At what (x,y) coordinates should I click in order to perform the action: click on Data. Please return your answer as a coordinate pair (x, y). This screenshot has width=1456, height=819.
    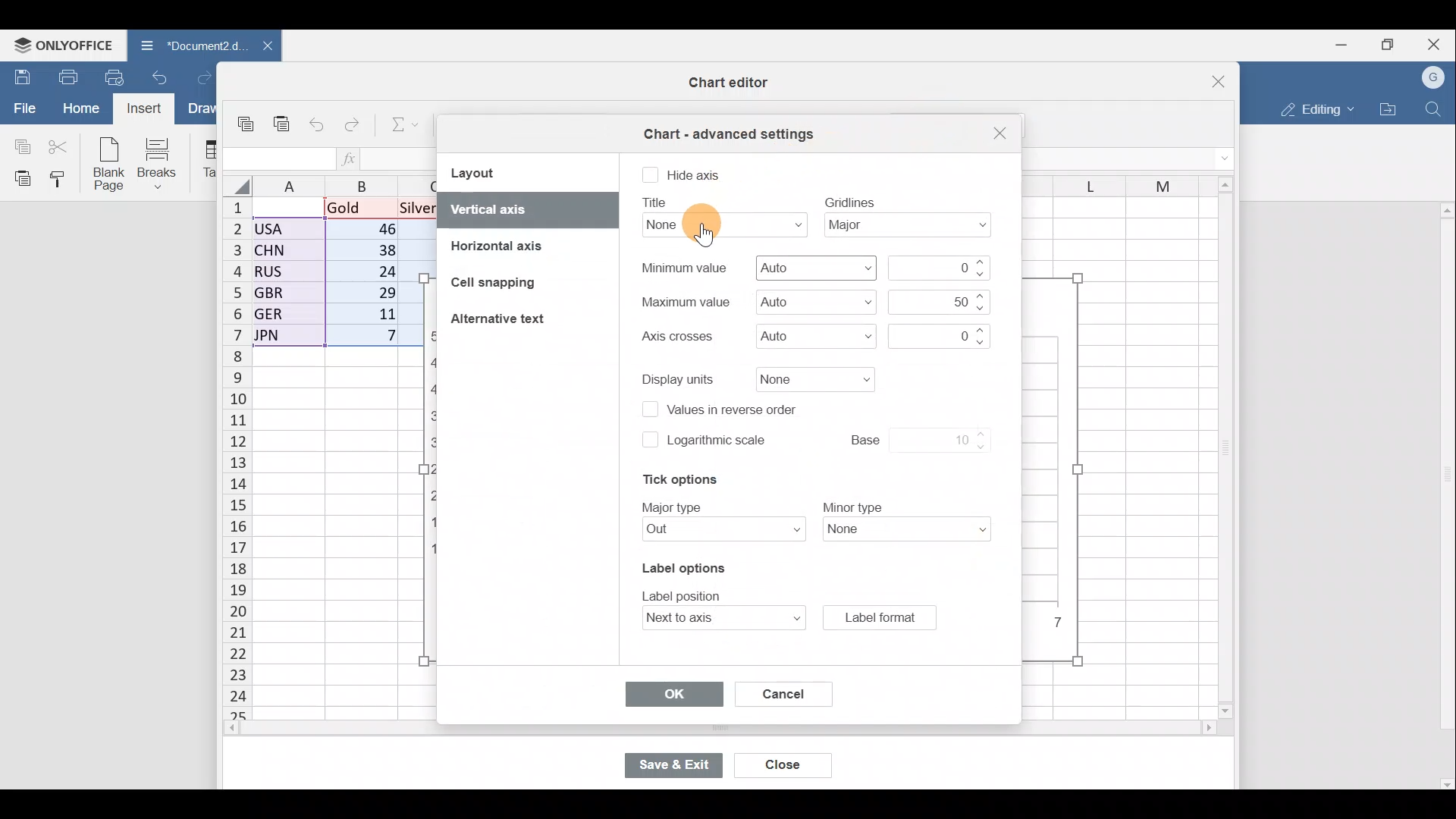
    Looking at the image, I should click on (331, 277).